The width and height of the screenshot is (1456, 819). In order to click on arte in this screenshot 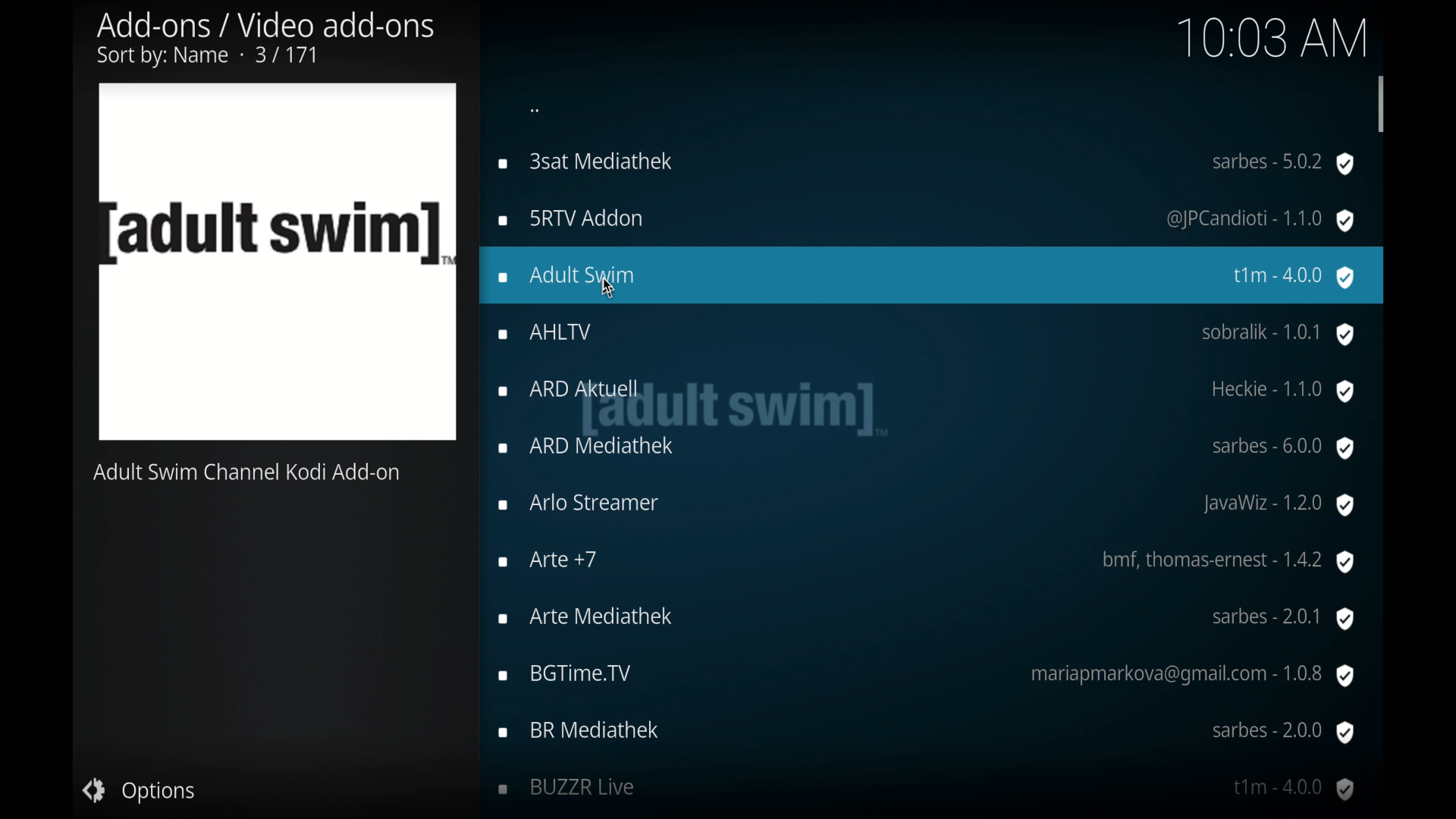, I will do `click(925, 561)`.